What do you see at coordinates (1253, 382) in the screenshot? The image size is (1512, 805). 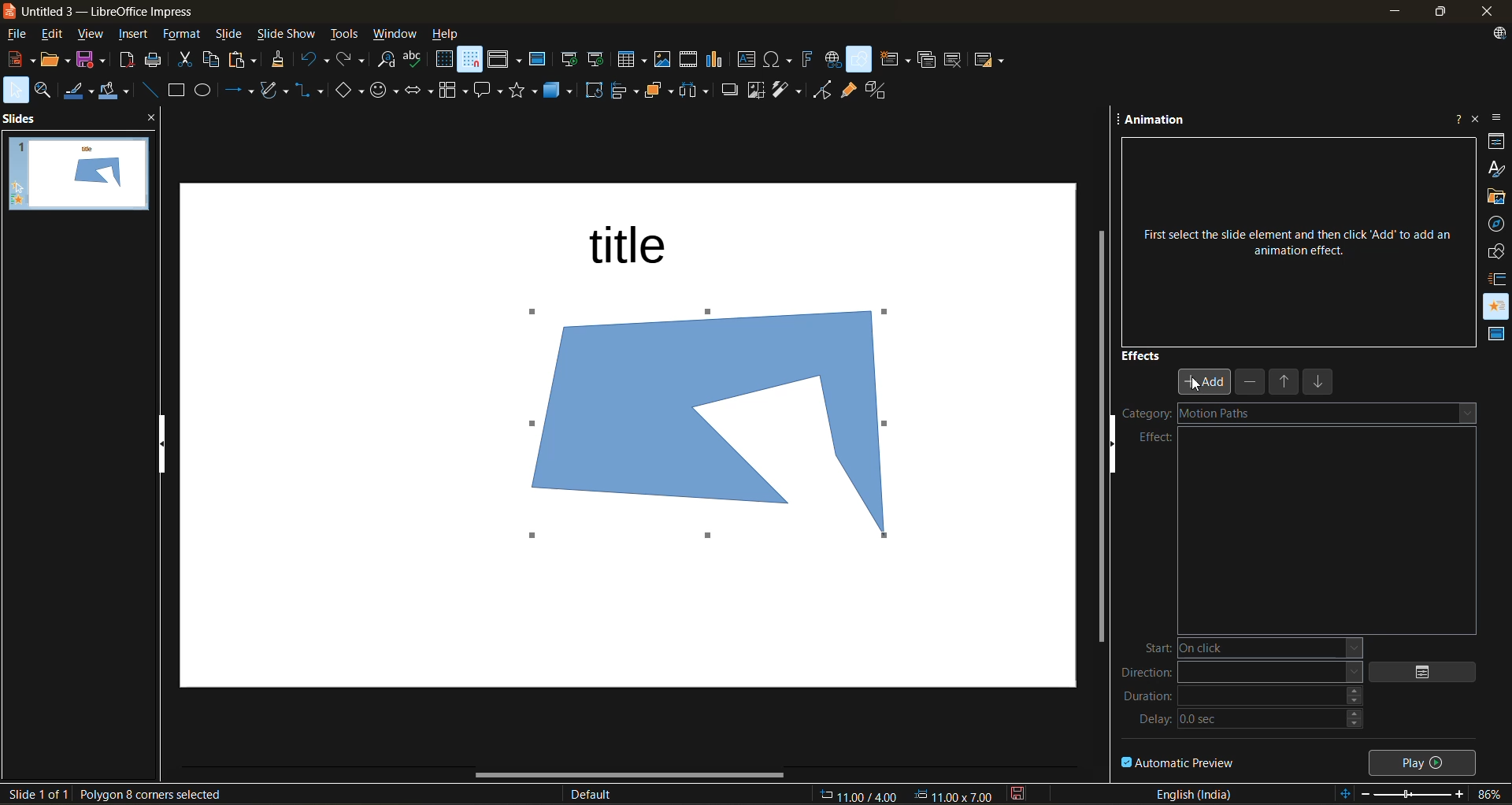 I see `remove effect` at bounding box center [1253, 382].